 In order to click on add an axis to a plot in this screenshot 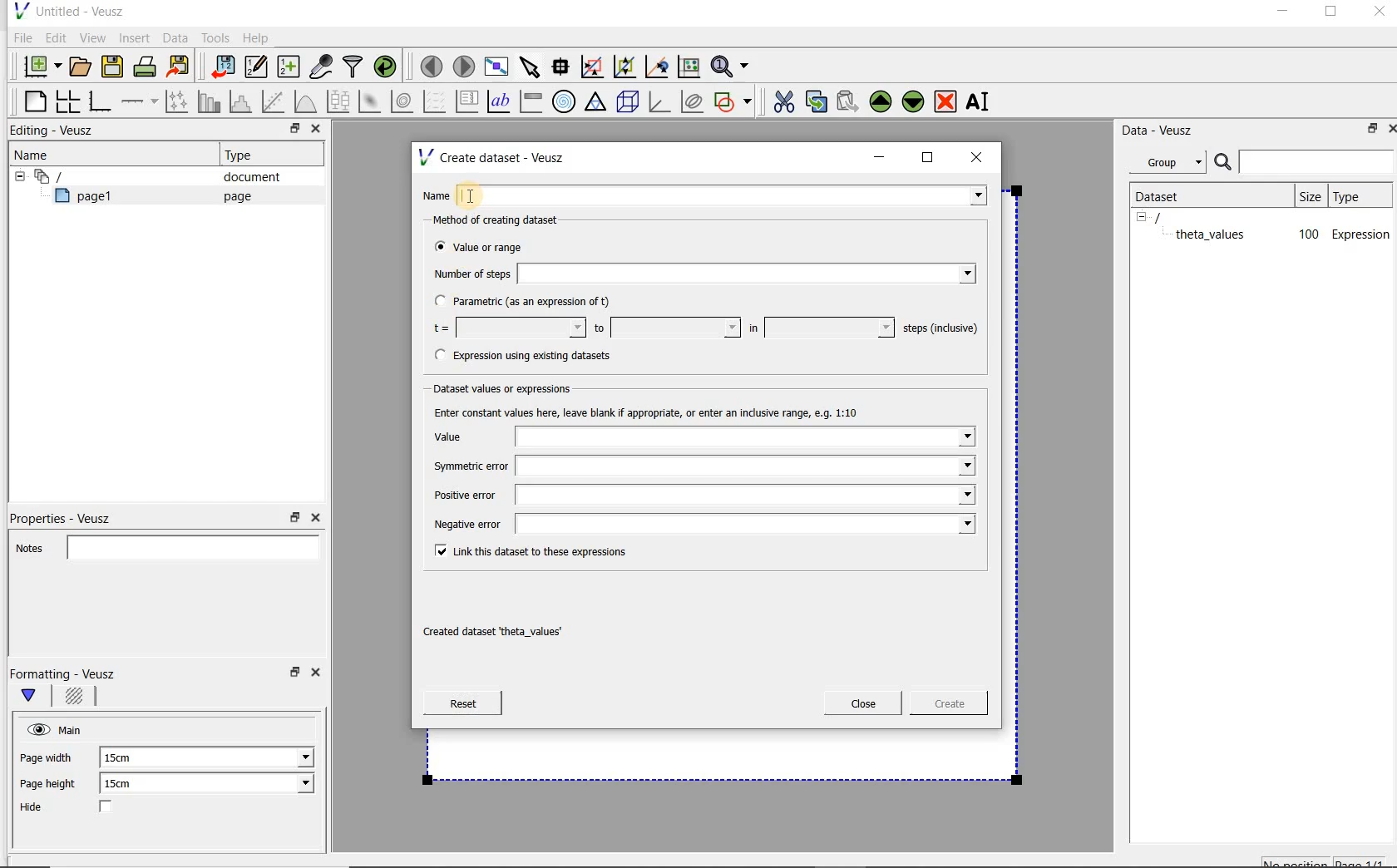, I will do `click(141, 101)`.